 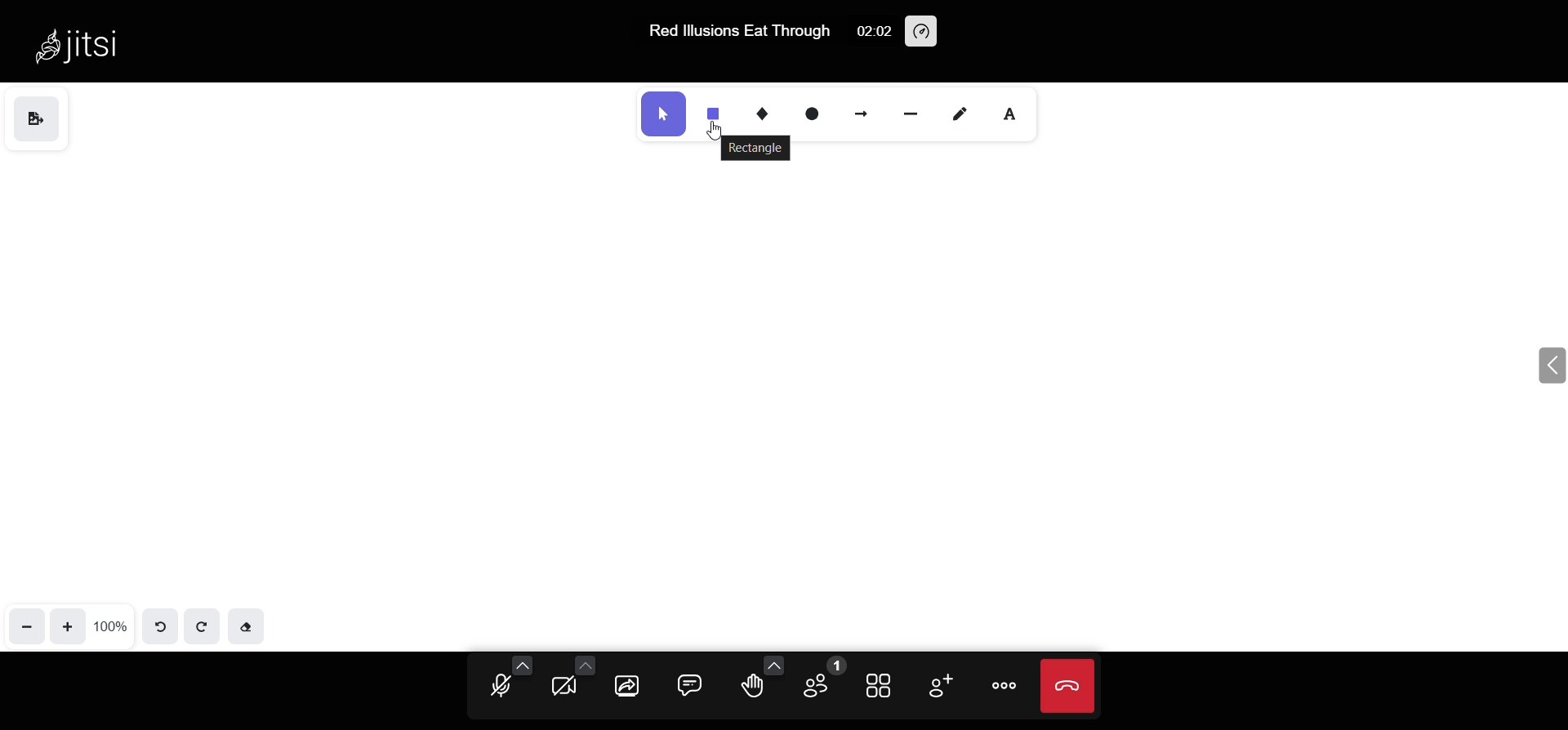 What do you see at coordinates (922, 31) in the screenshot?
I see `performance setting` at bounding box center [922, 31].